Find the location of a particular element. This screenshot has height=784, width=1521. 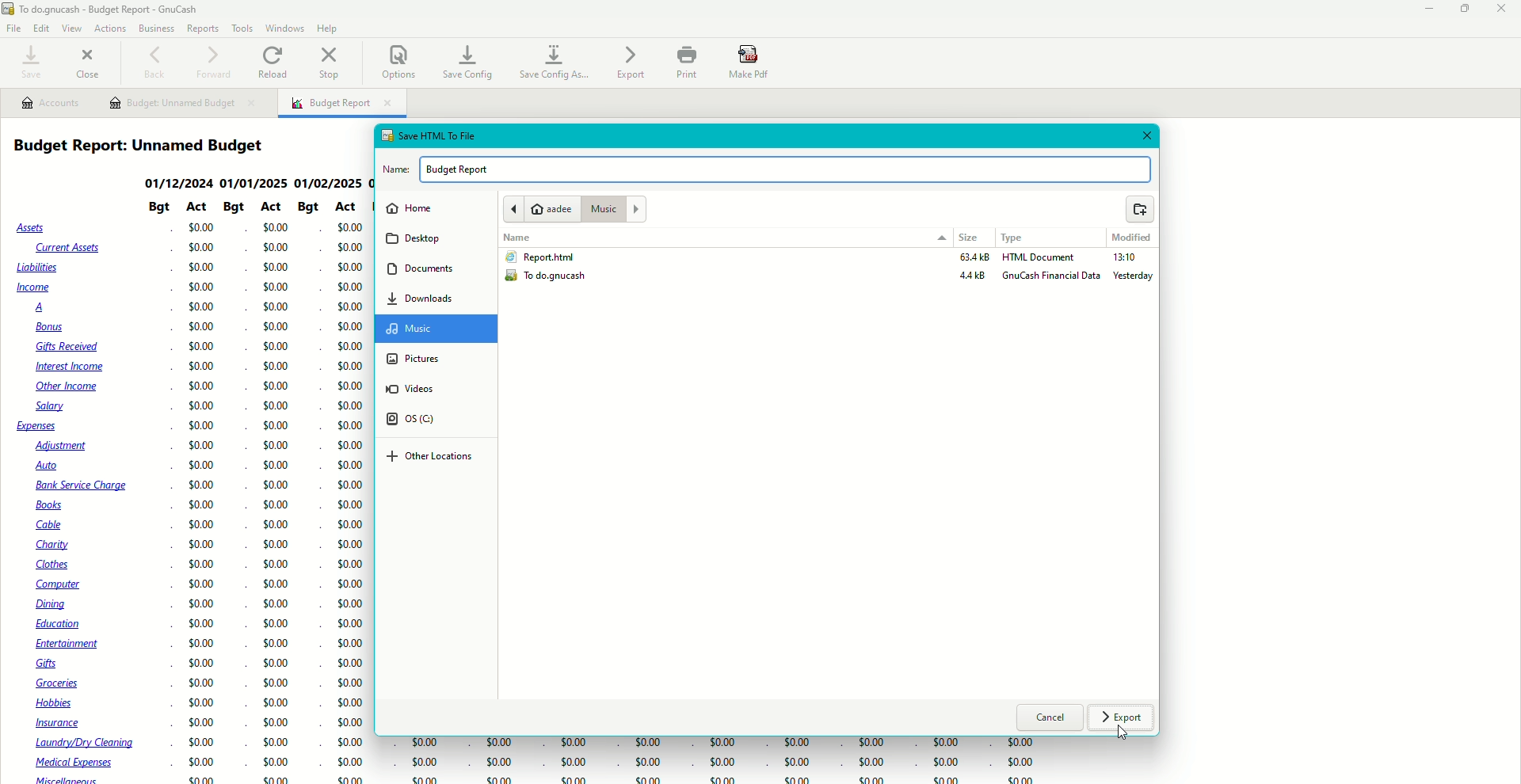

Close is located at coordinates (90, 61).